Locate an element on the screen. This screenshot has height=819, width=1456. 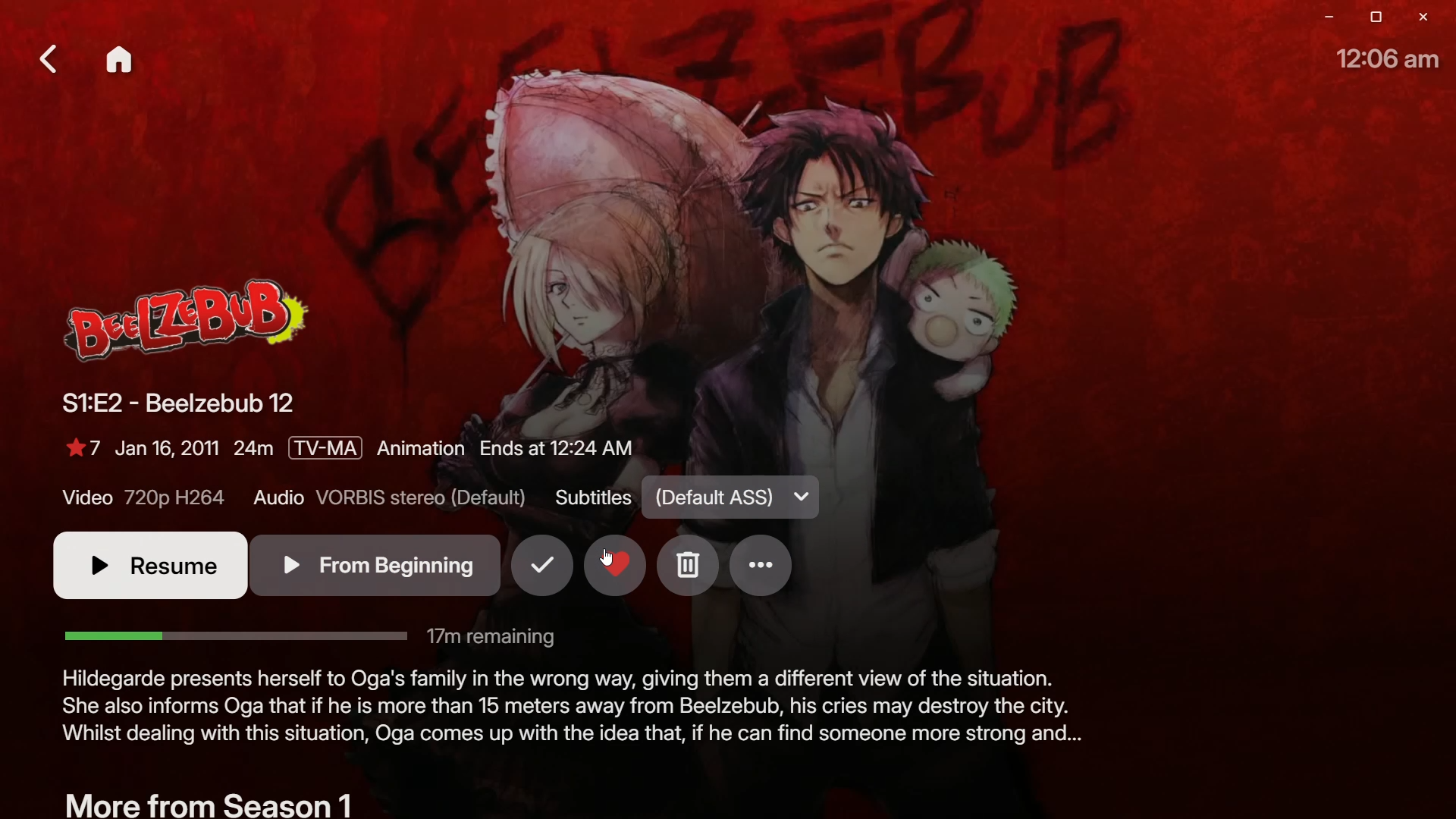
Resume is located at coordinates (140, 569).